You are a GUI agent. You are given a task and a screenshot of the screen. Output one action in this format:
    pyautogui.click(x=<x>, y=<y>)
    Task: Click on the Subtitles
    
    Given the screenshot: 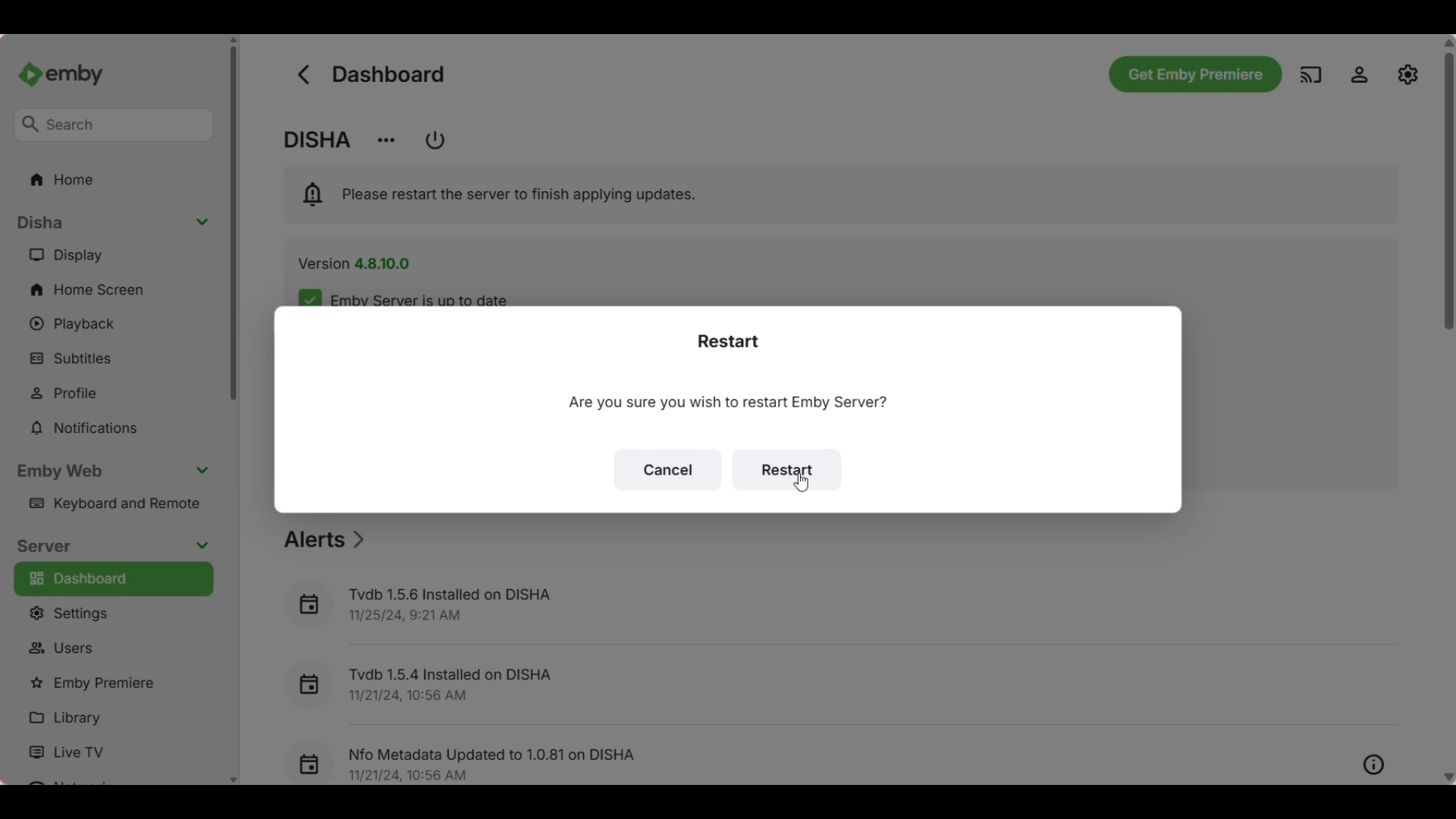 What is the action you would take?
    pyautogui.click(x=113, y=357)
    